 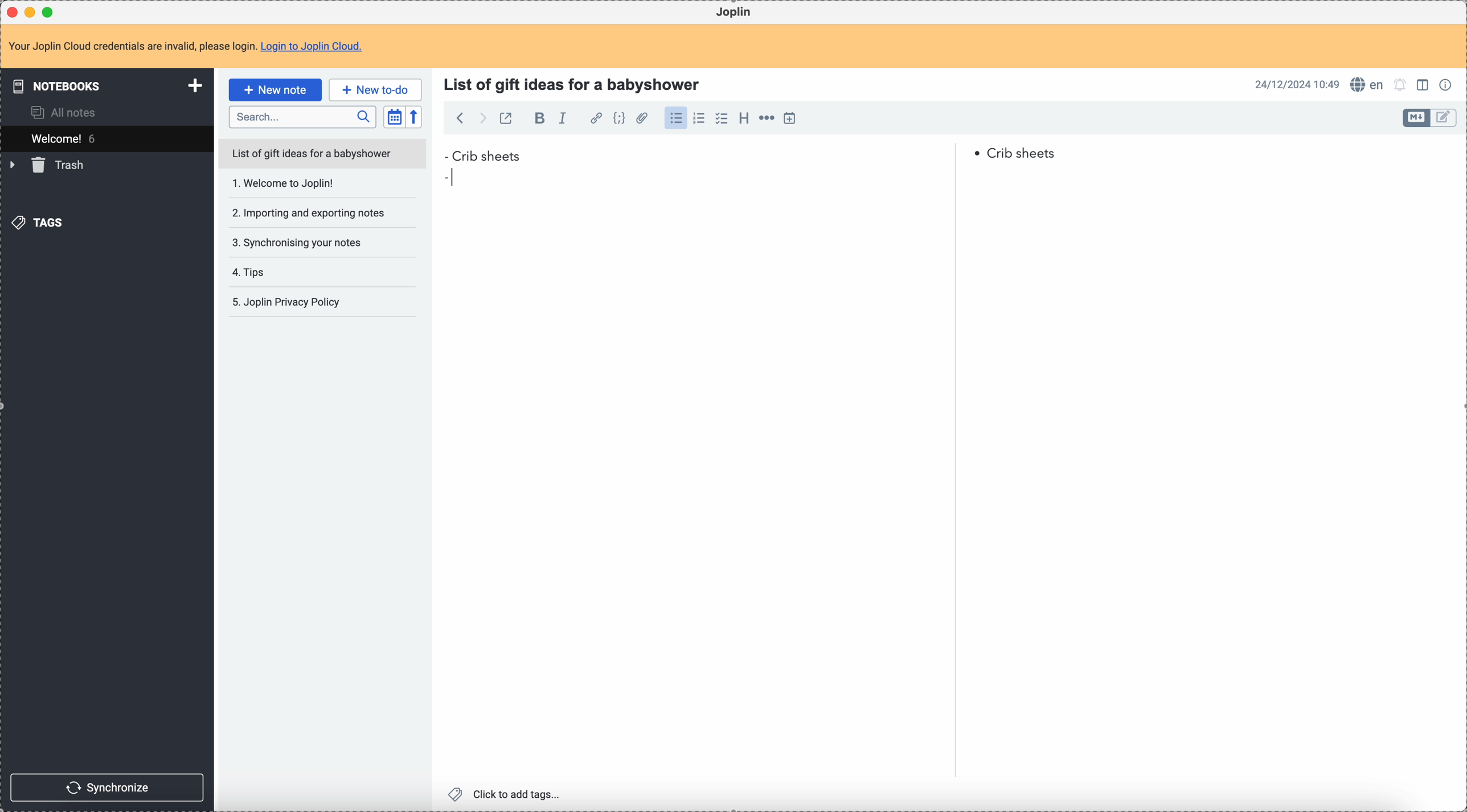 I want to click on list of gift ideas for a babyshower, so click(x=324, y=155).